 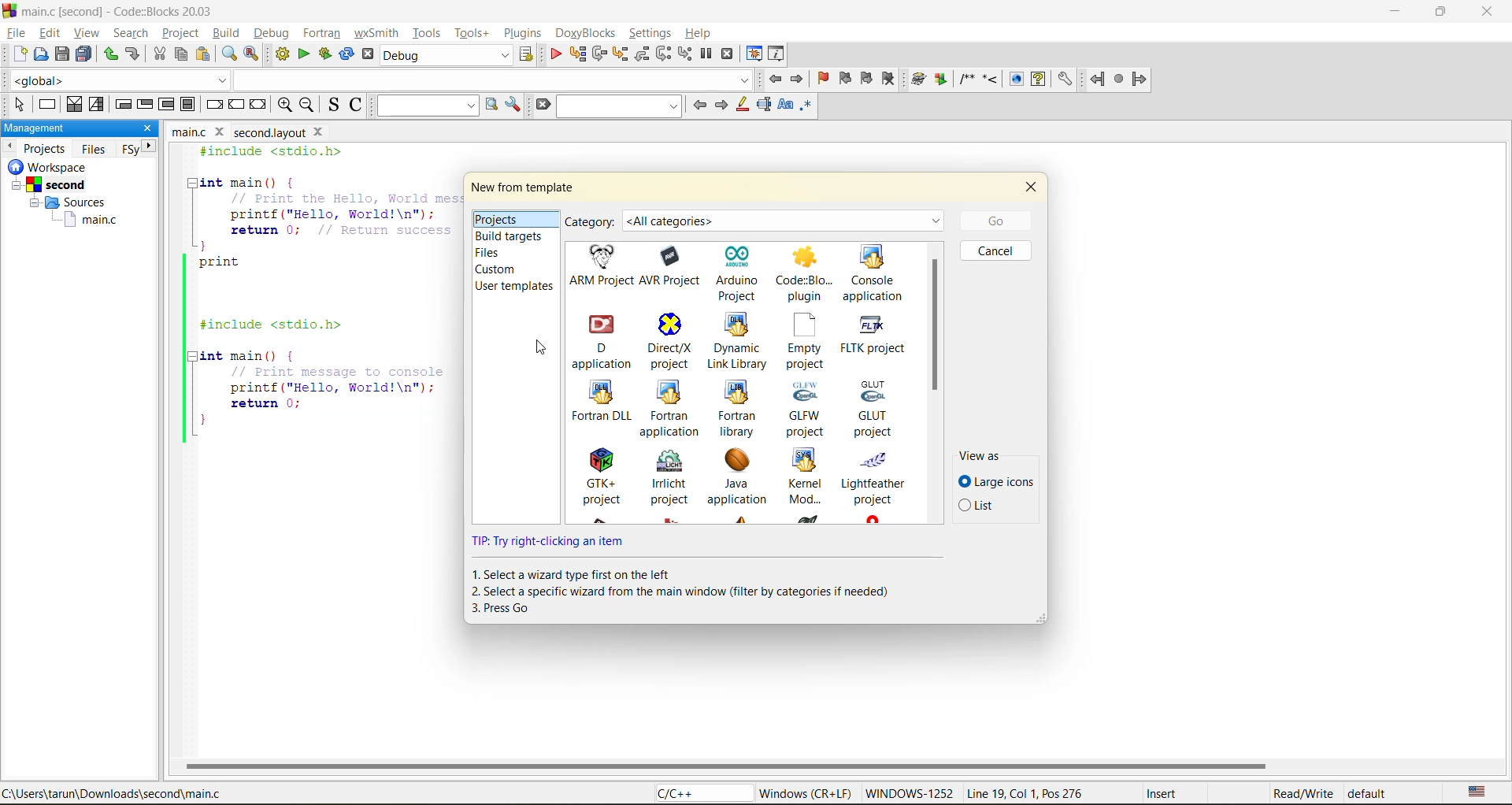 I want to click on edit, so click(x=50, y=33).